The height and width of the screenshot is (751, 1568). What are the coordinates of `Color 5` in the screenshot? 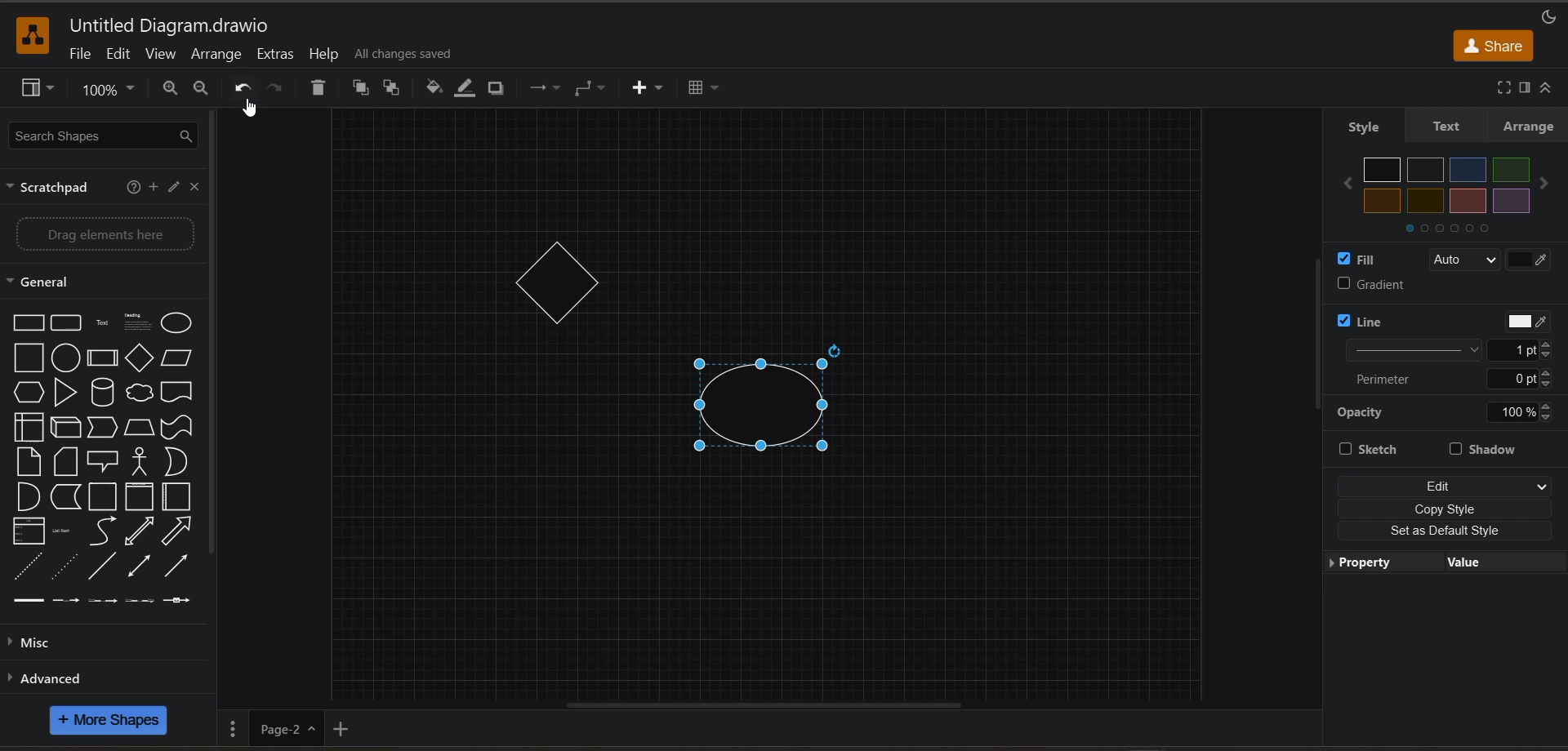 It's located at (1381, 202).